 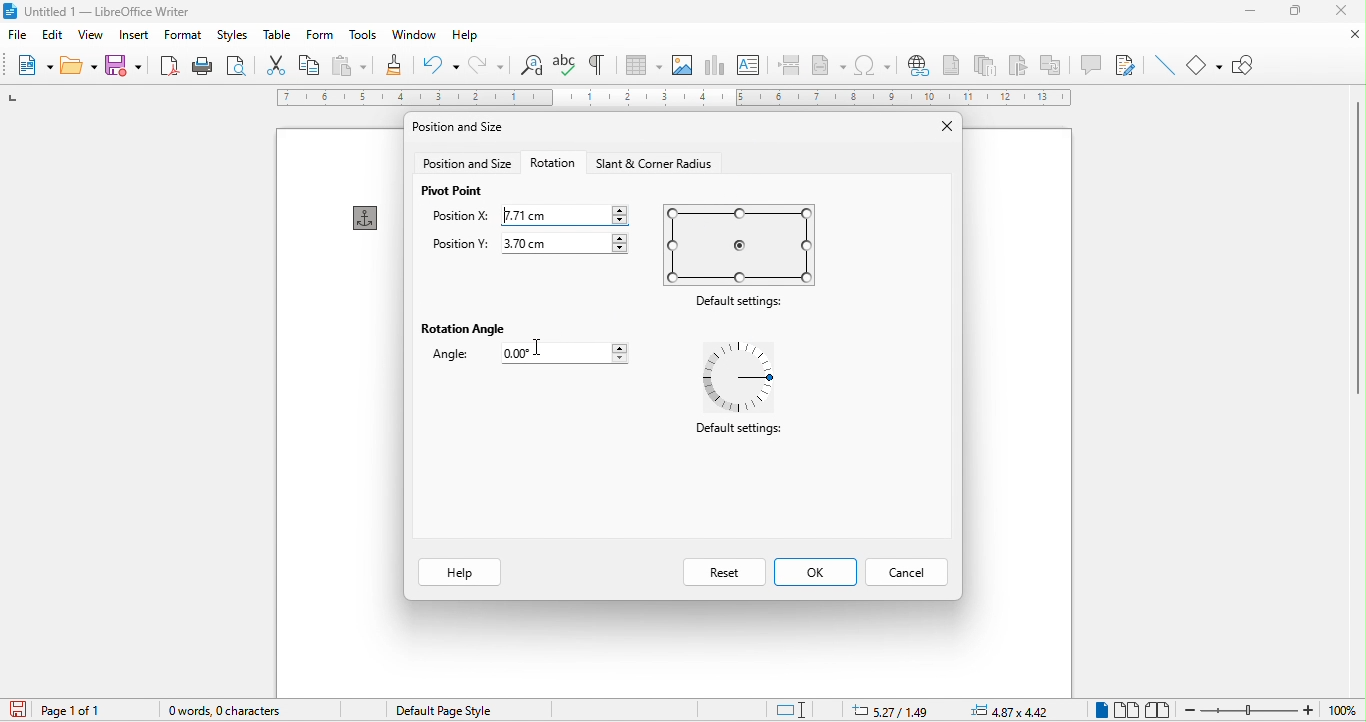 I want to click on paste, so click(x=348, y=66).